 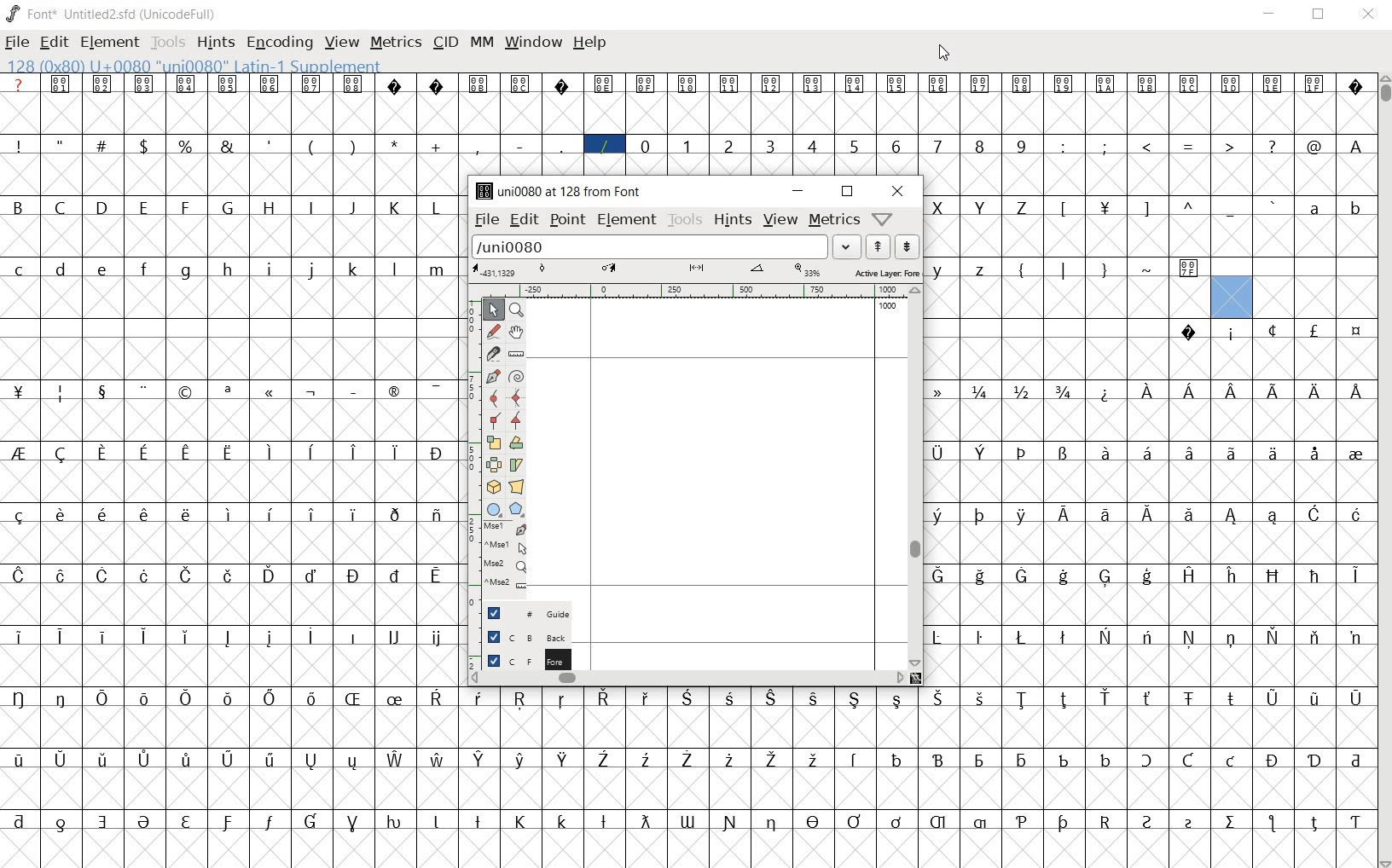 I want to click on glyph, so click(x=102, y=206).